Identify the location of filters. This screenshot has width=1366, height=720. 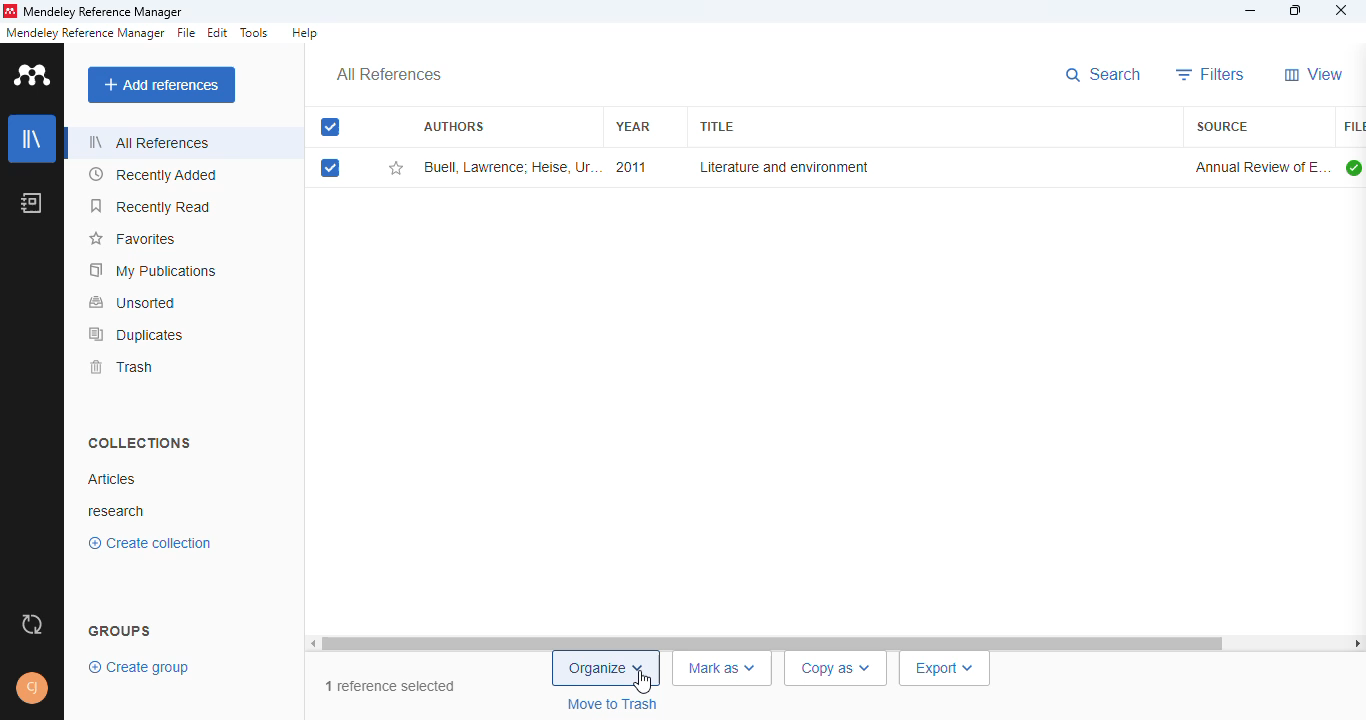
(1211, 74).